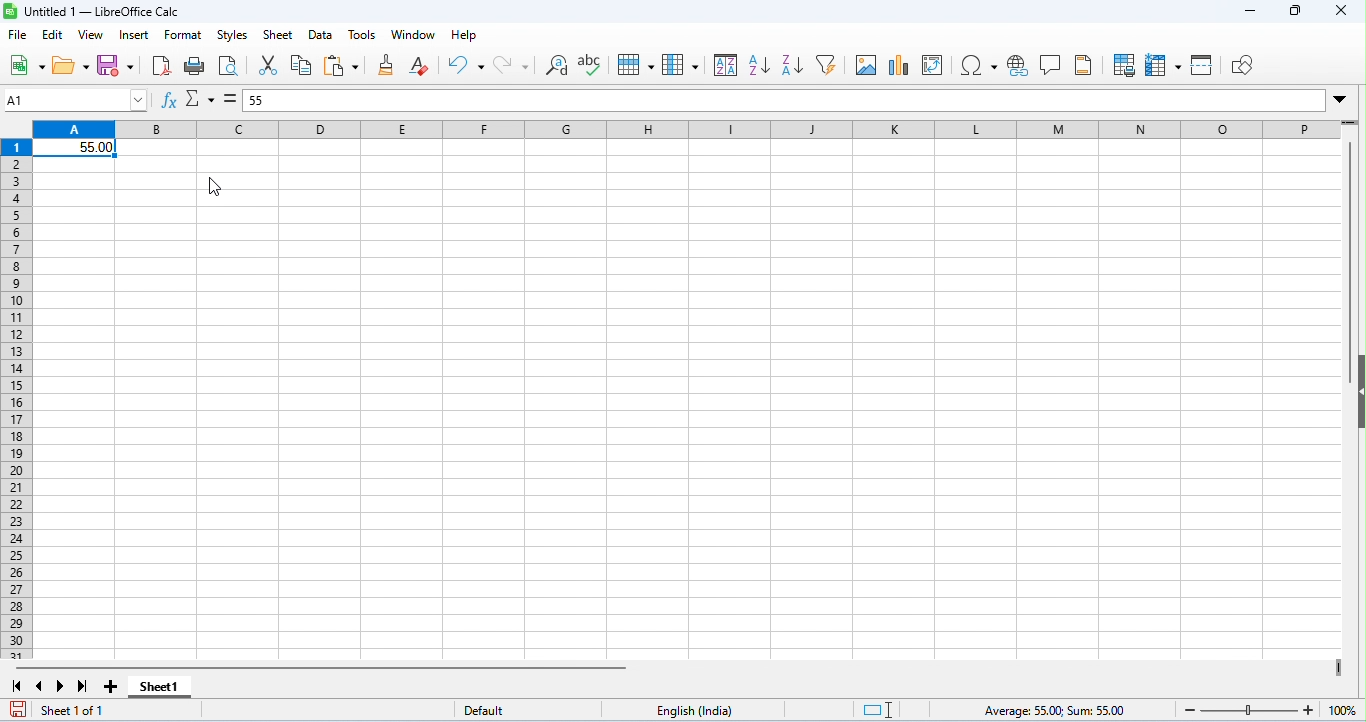 The image size is (1366, 722). Describe the element at coordinates (19, 710) in the screenshot. I see `save` at that location.